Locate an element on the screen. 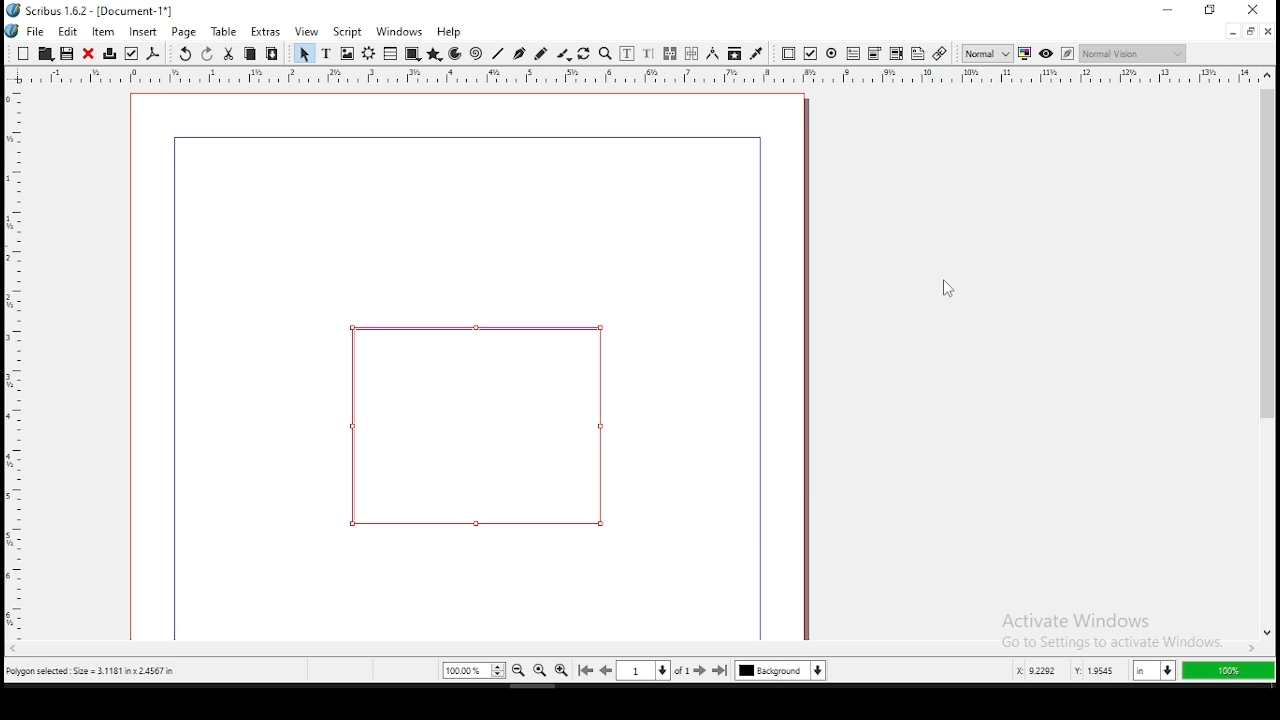 The image size is (1280, 720). close is located at coordinates (88, 54).